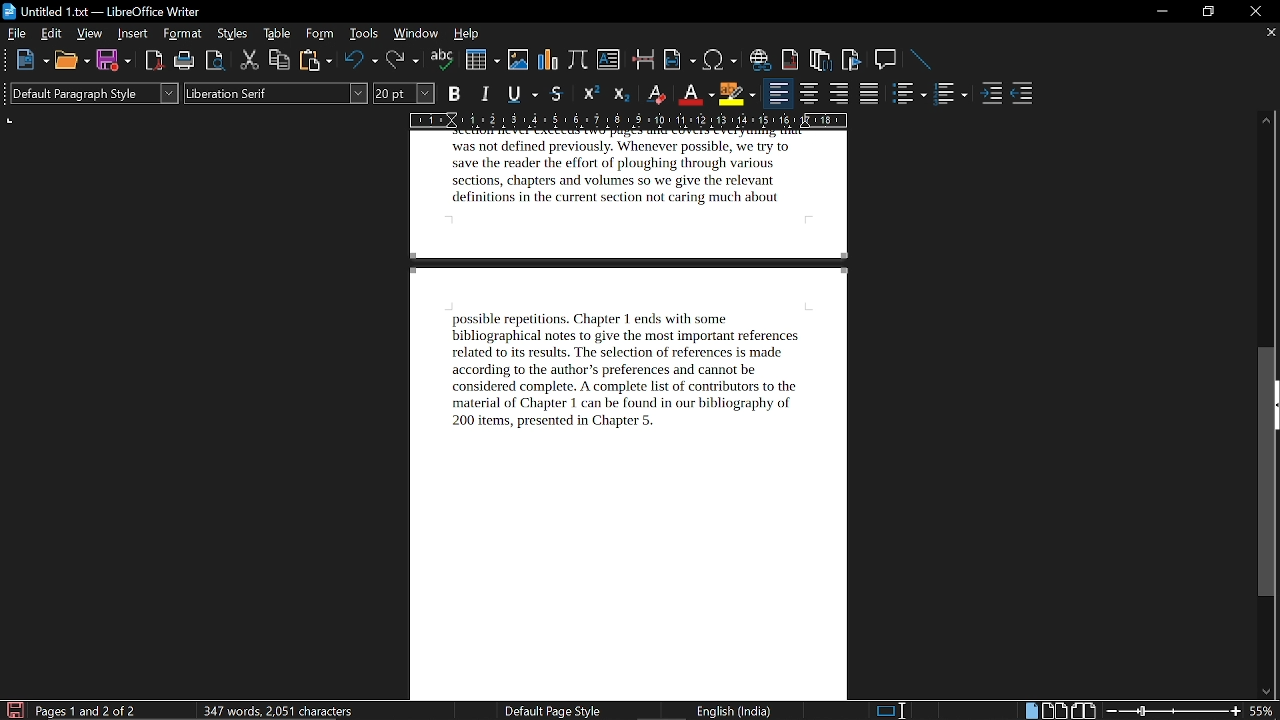 The height and width of the screenshot is (720, 1280). I want to click on insert comment, so click(887, 60).